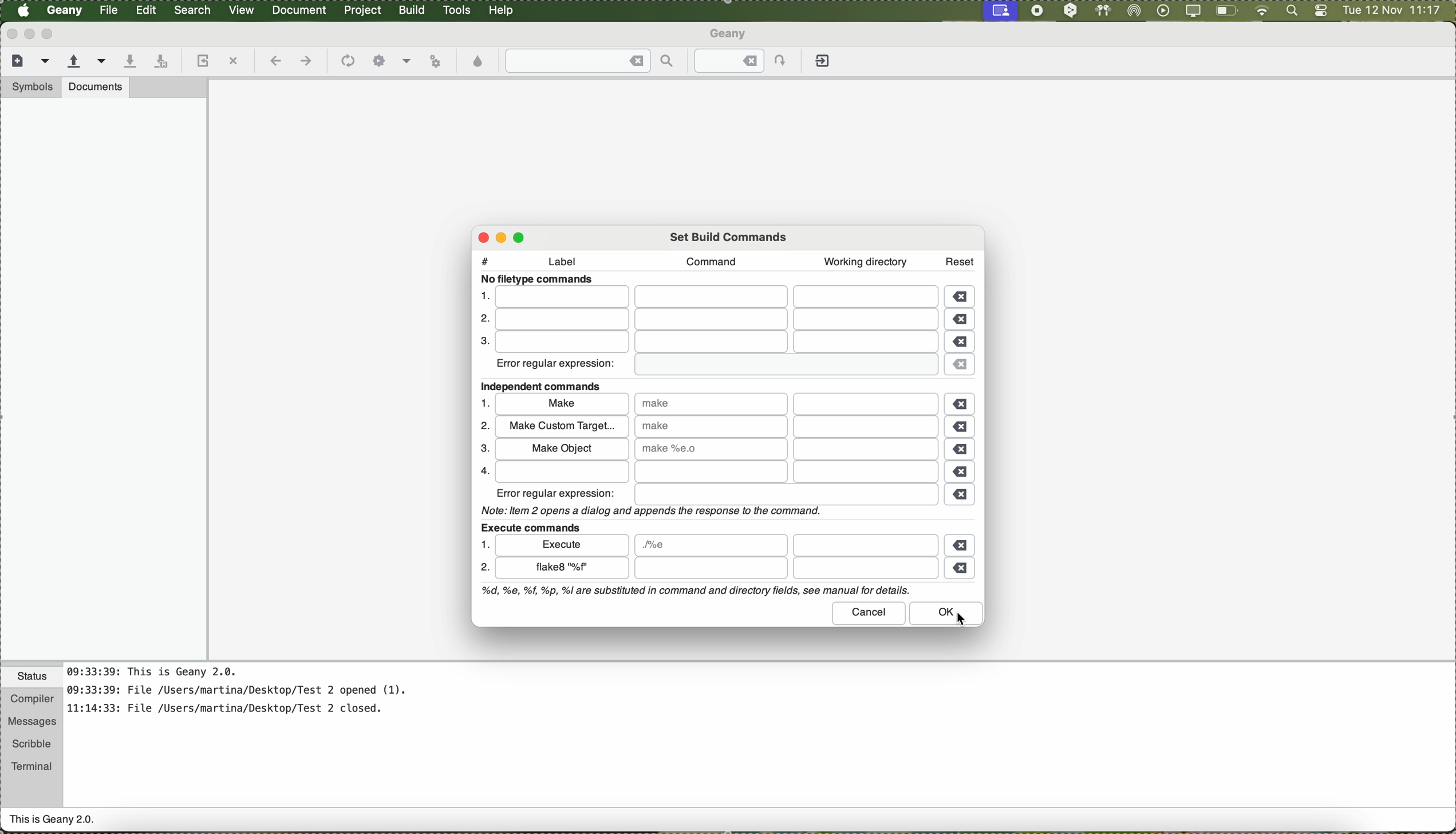  Describe the element at coordinates (65, 11) in the screenshot. I see `Geany` at that location.